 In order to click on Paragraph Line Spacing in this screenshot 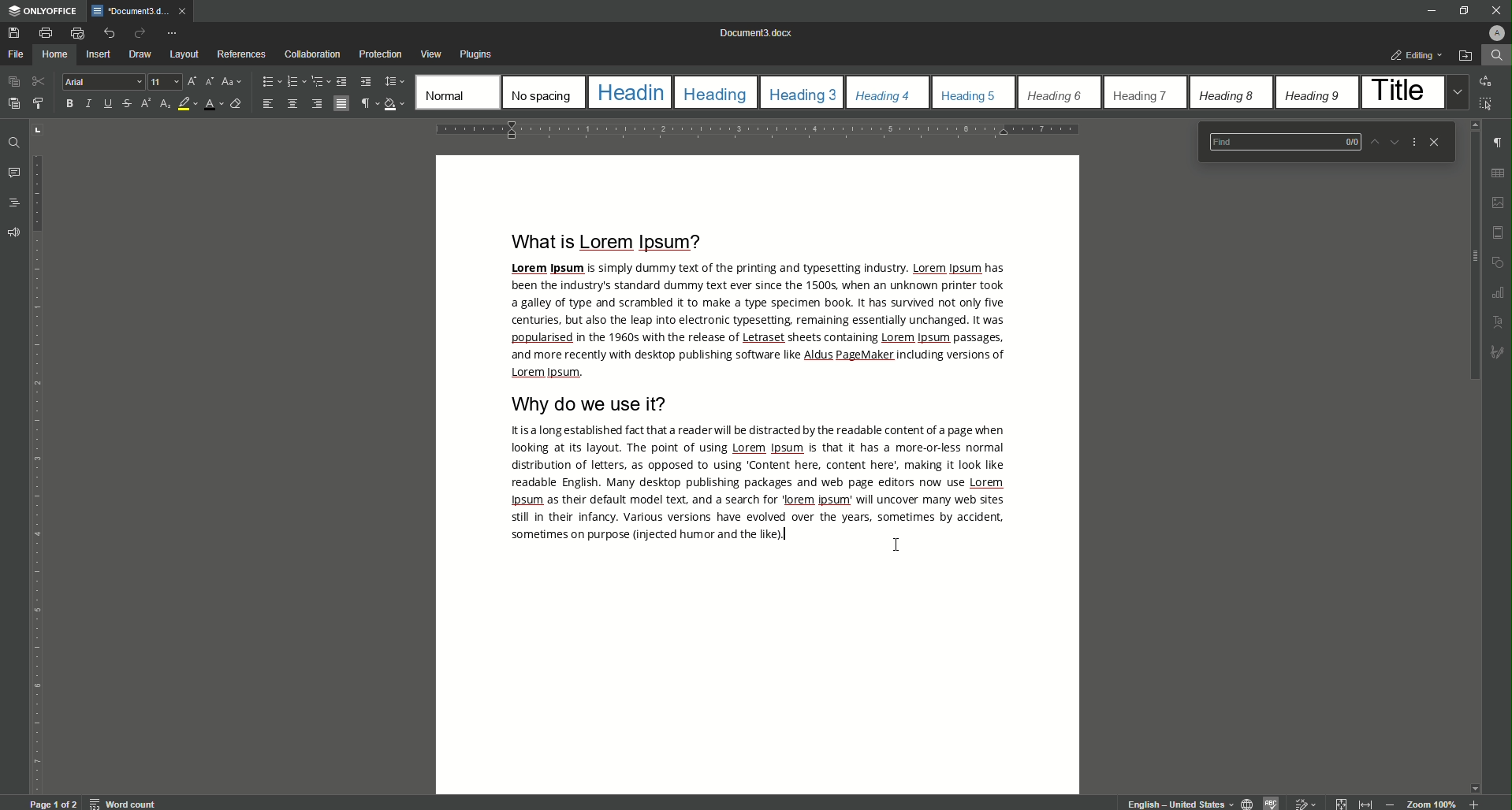, I will do `click(395, 80)`.